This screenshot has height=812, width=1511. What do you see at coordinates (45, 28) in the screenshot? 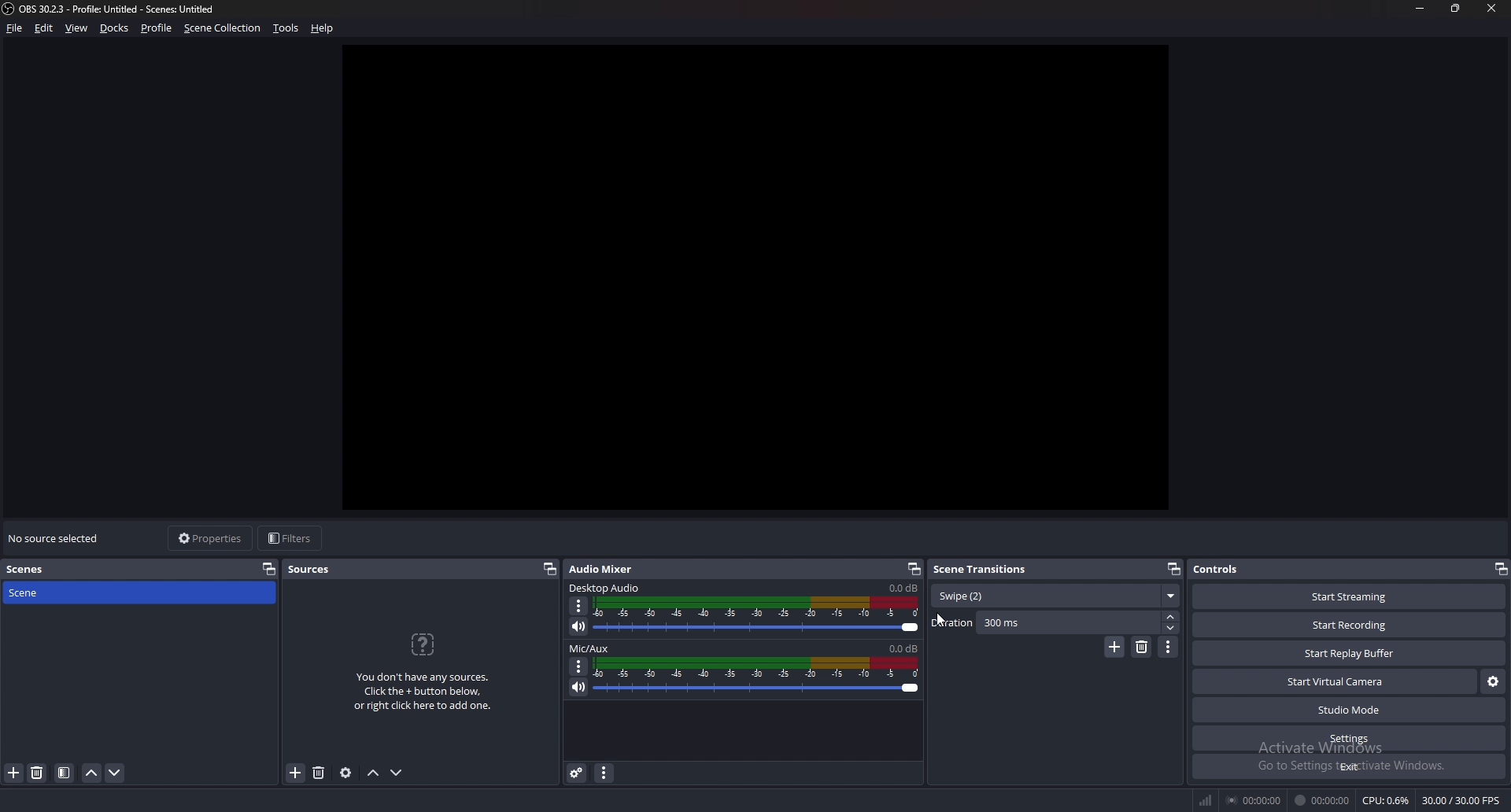
I see `edit` at bounding box center [45, 28].